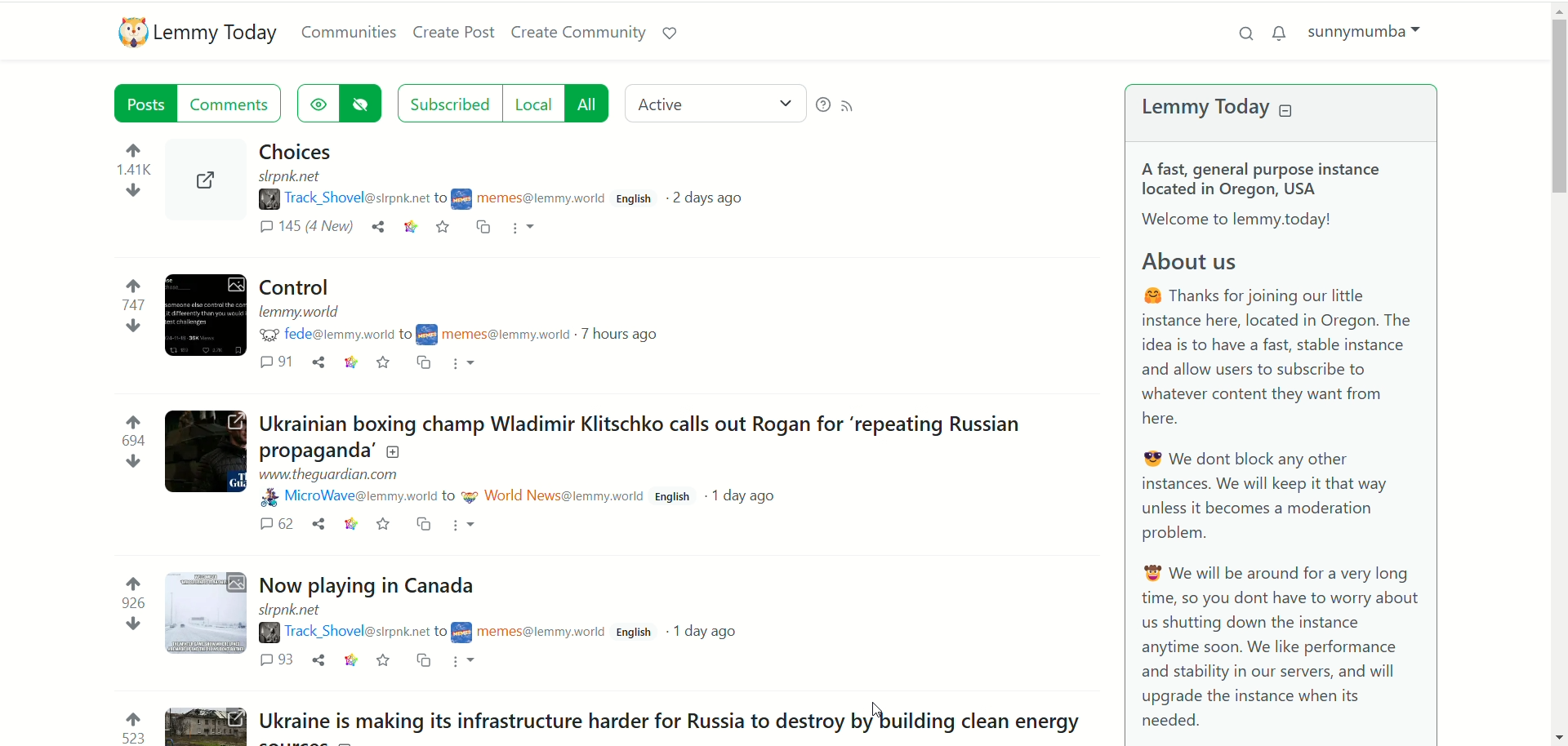  I want to click on community, so click(526, 198).